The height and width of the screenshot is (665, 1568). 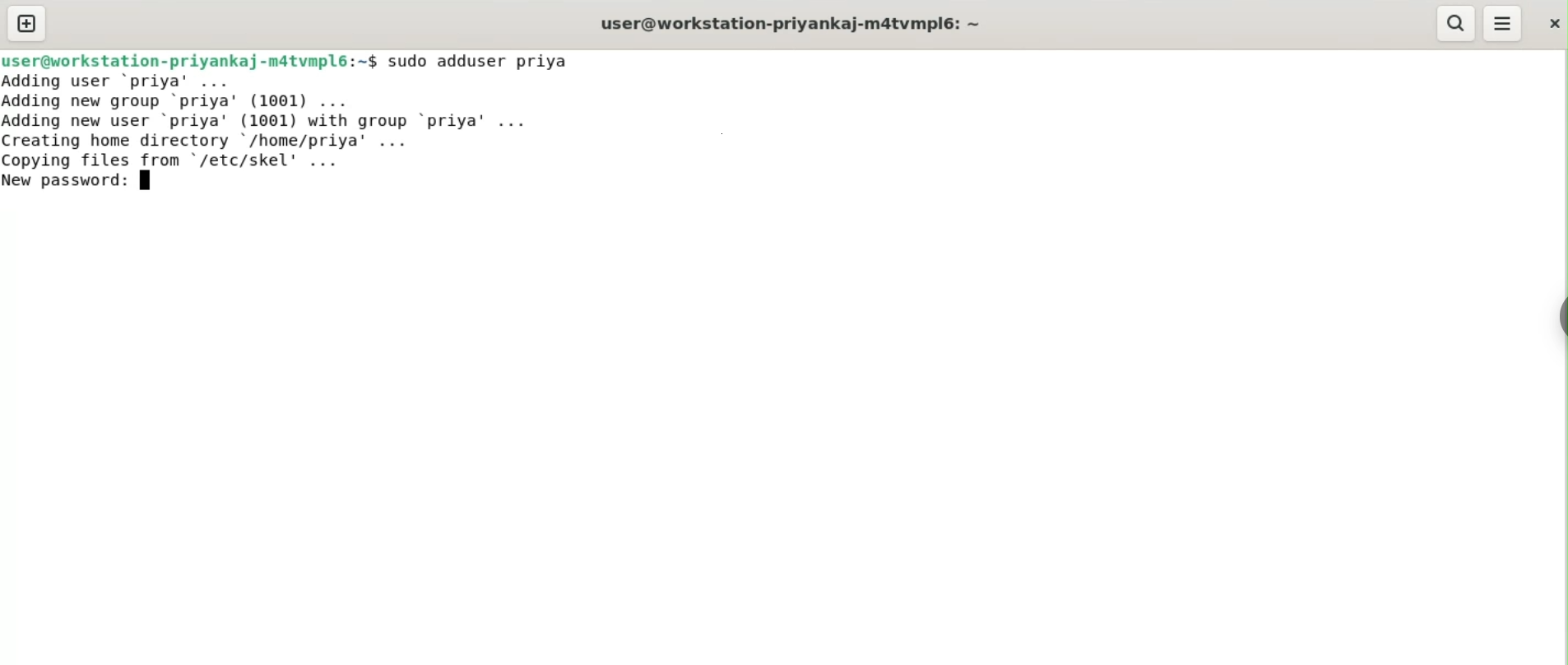 I want to click on search, so click(x=1454, y=23).